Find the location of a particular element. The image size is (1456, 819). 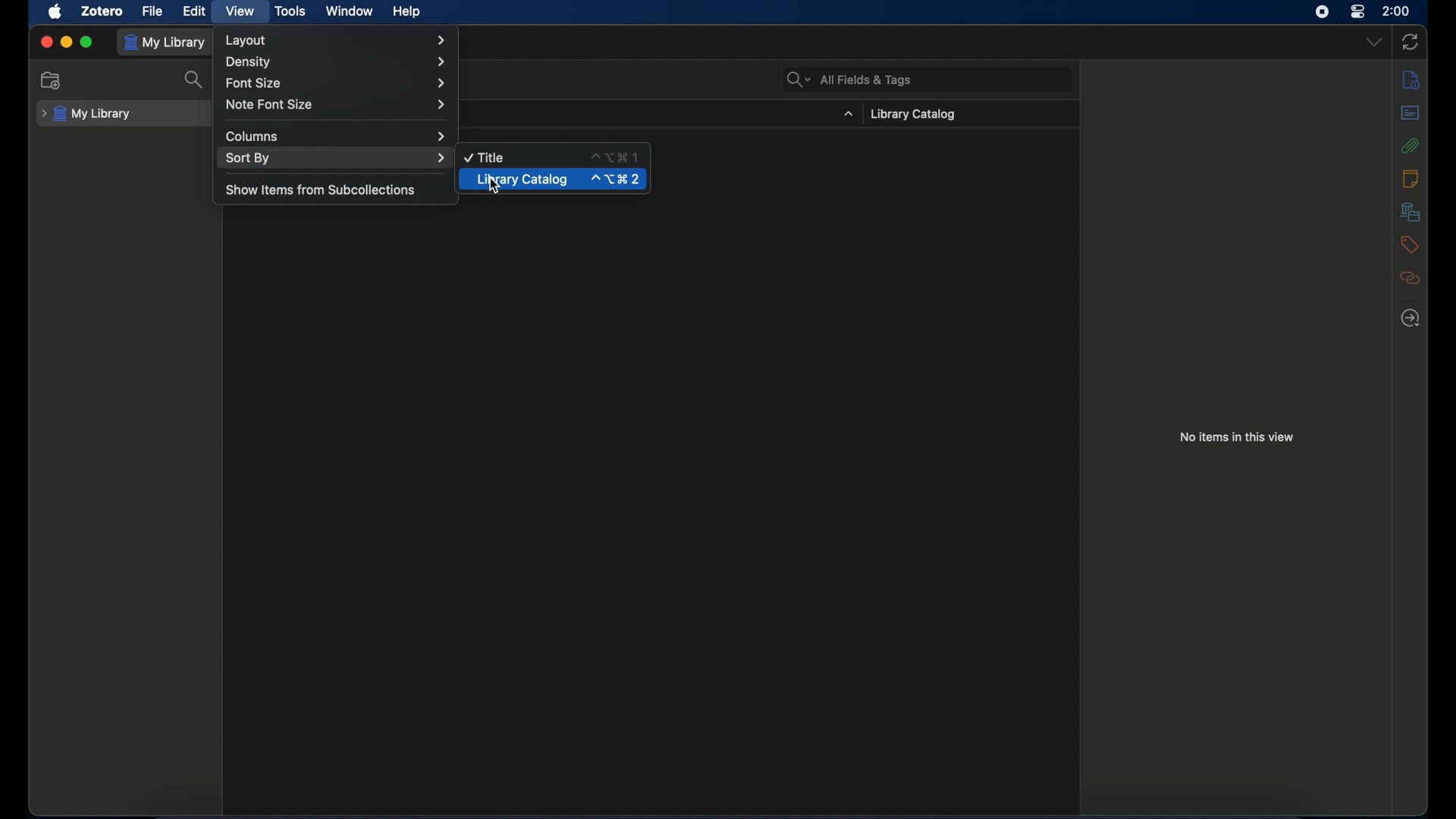

close is located at coordinates (47, 41).